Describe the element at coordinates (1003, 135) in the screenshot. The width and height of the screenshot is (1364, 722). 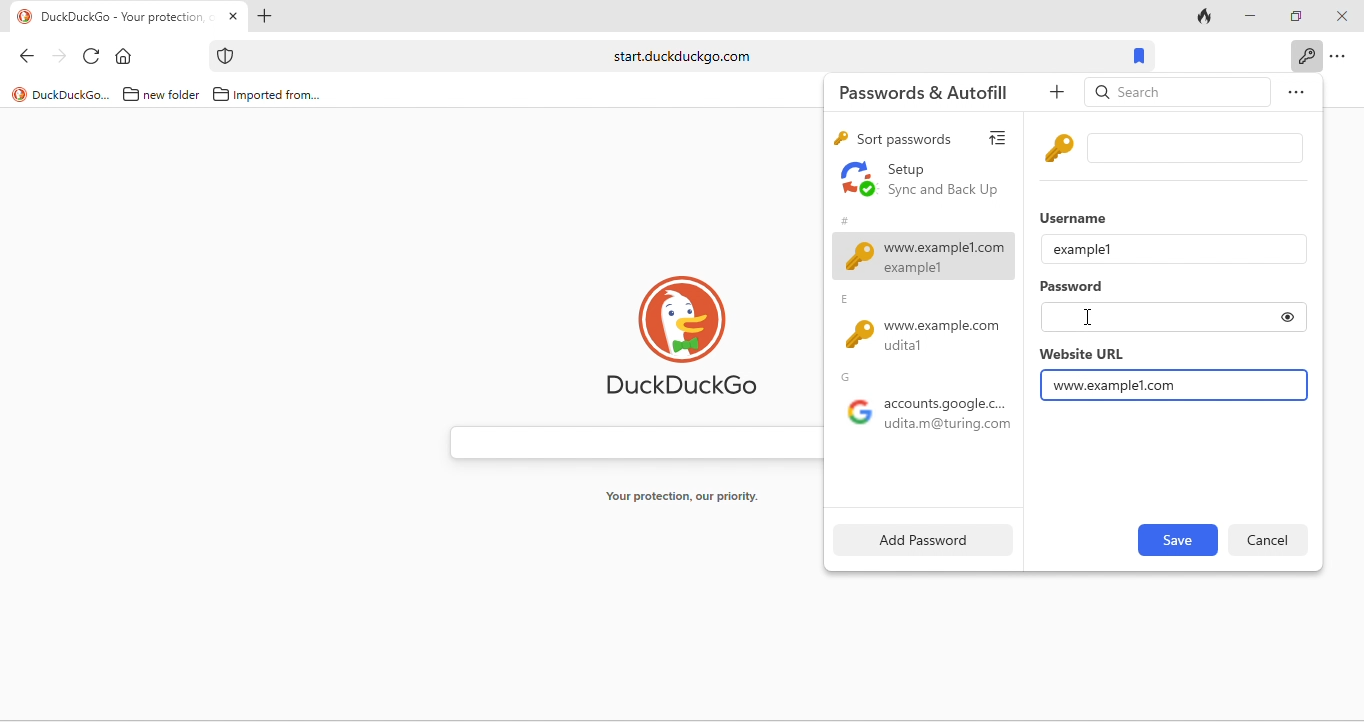
I see `view` at that location.